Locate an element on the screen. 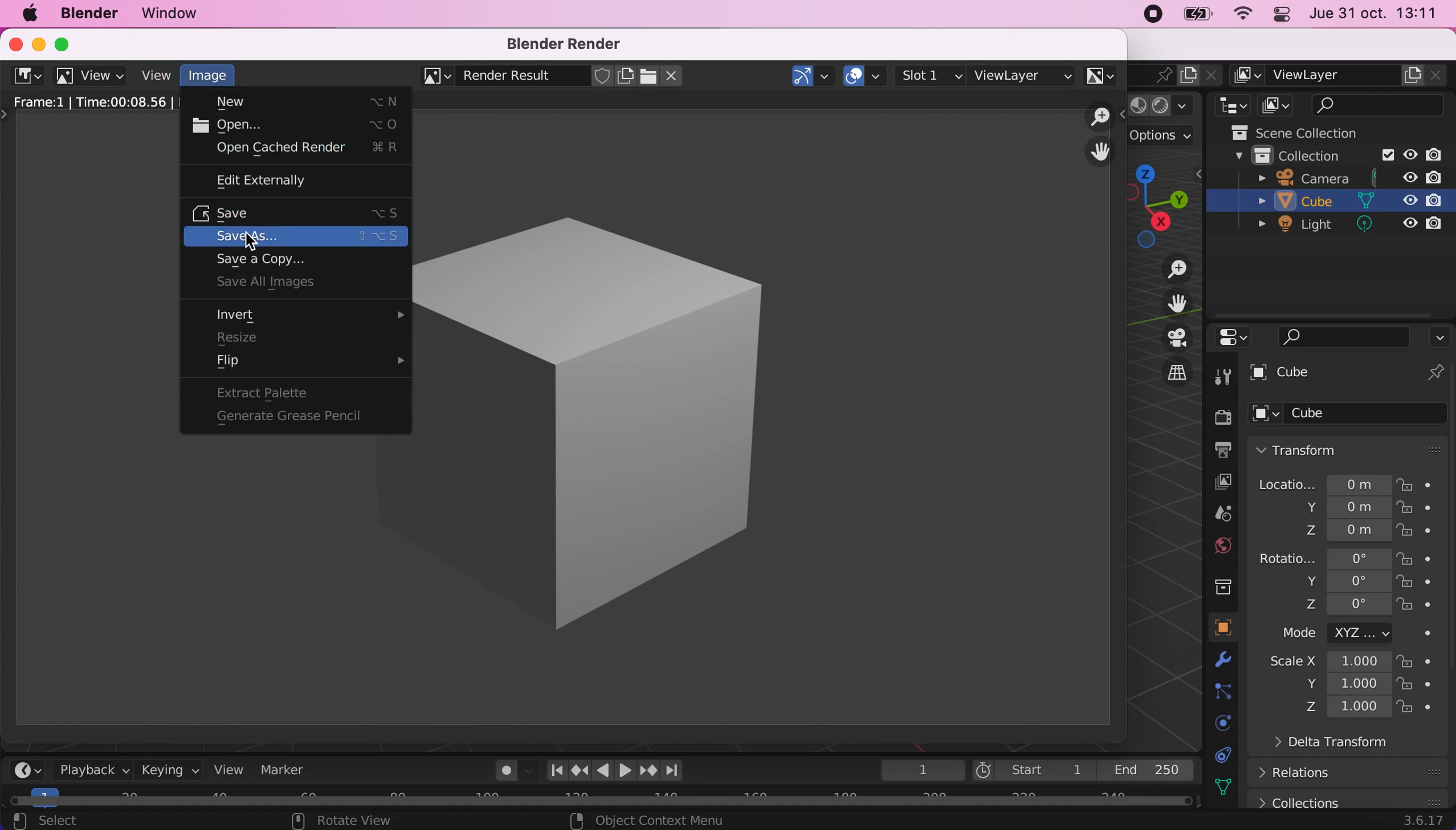  light is located at coordinates (1341, 227).